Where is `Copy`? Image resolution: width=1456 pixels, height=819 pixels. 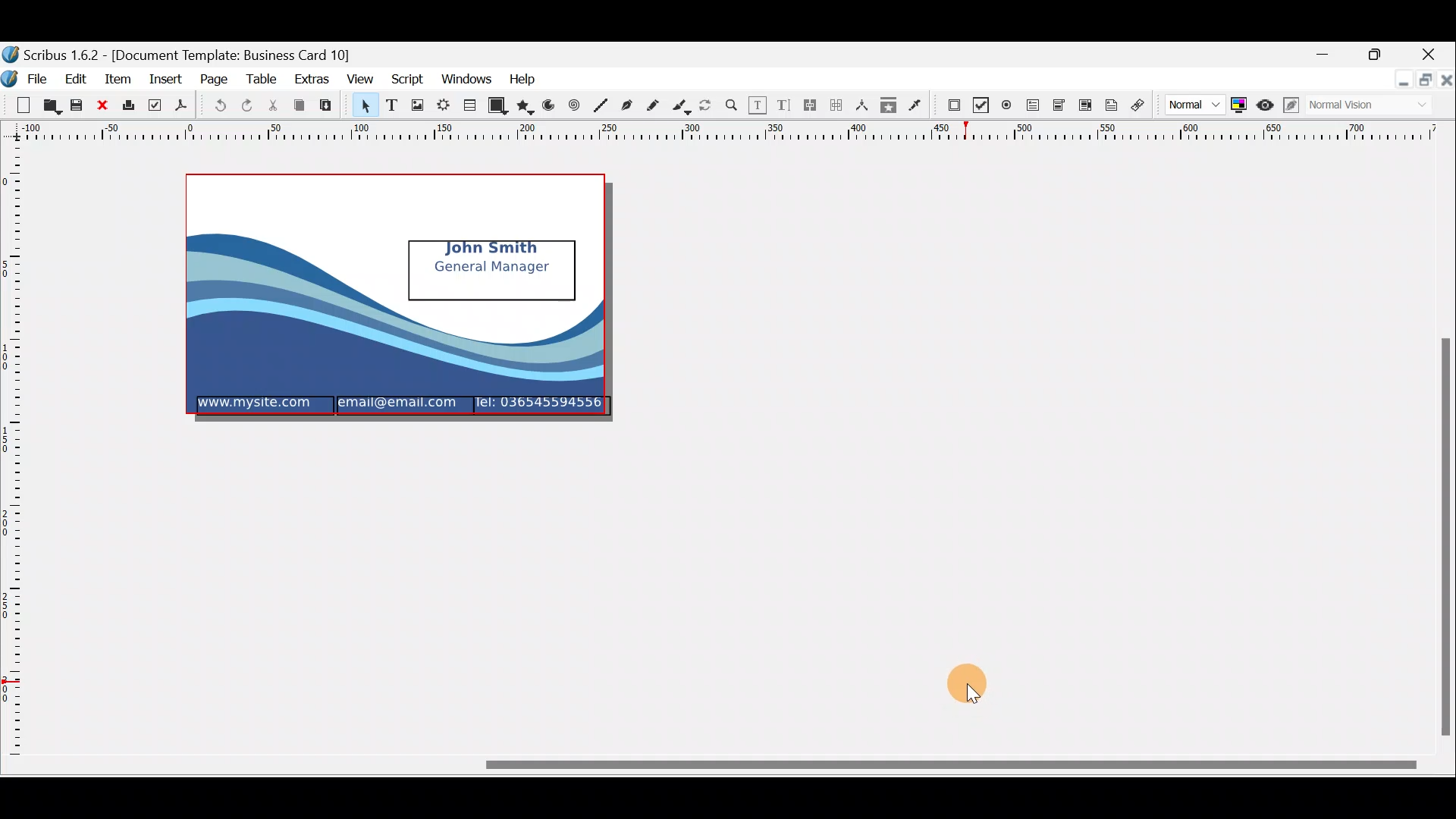
Copy is located at coordinates (301, 108).